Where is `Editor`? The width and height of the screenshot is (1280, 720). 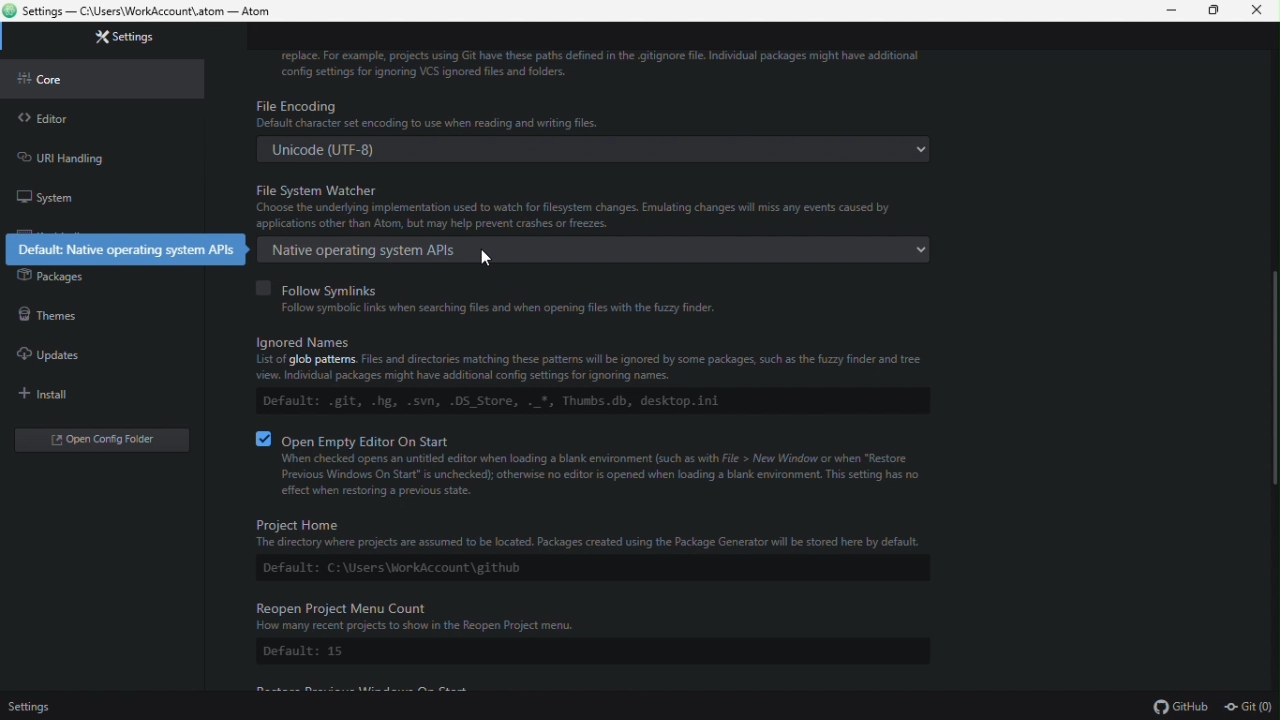
Editor is located at coordinates (42, 119).